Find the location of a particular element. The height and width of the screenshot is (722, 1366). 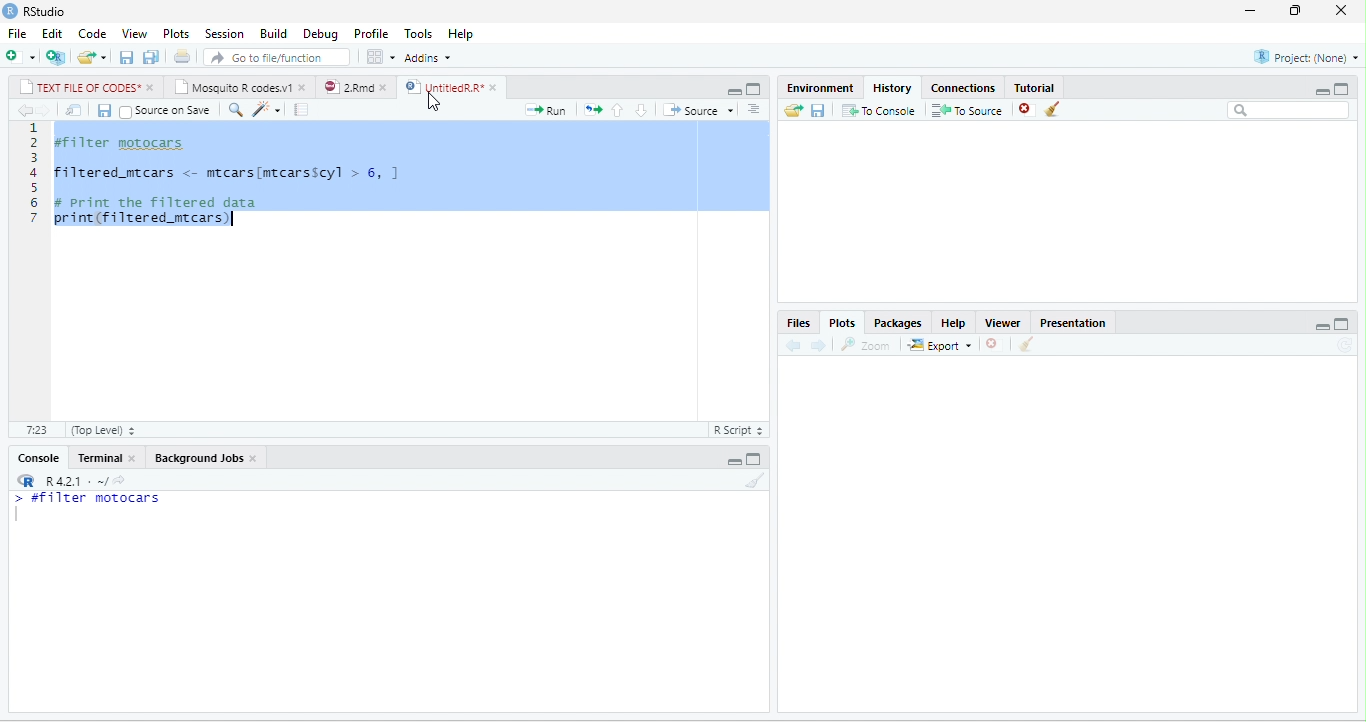

Mosquito R codes.v1 is located at coordinates (233, 86).